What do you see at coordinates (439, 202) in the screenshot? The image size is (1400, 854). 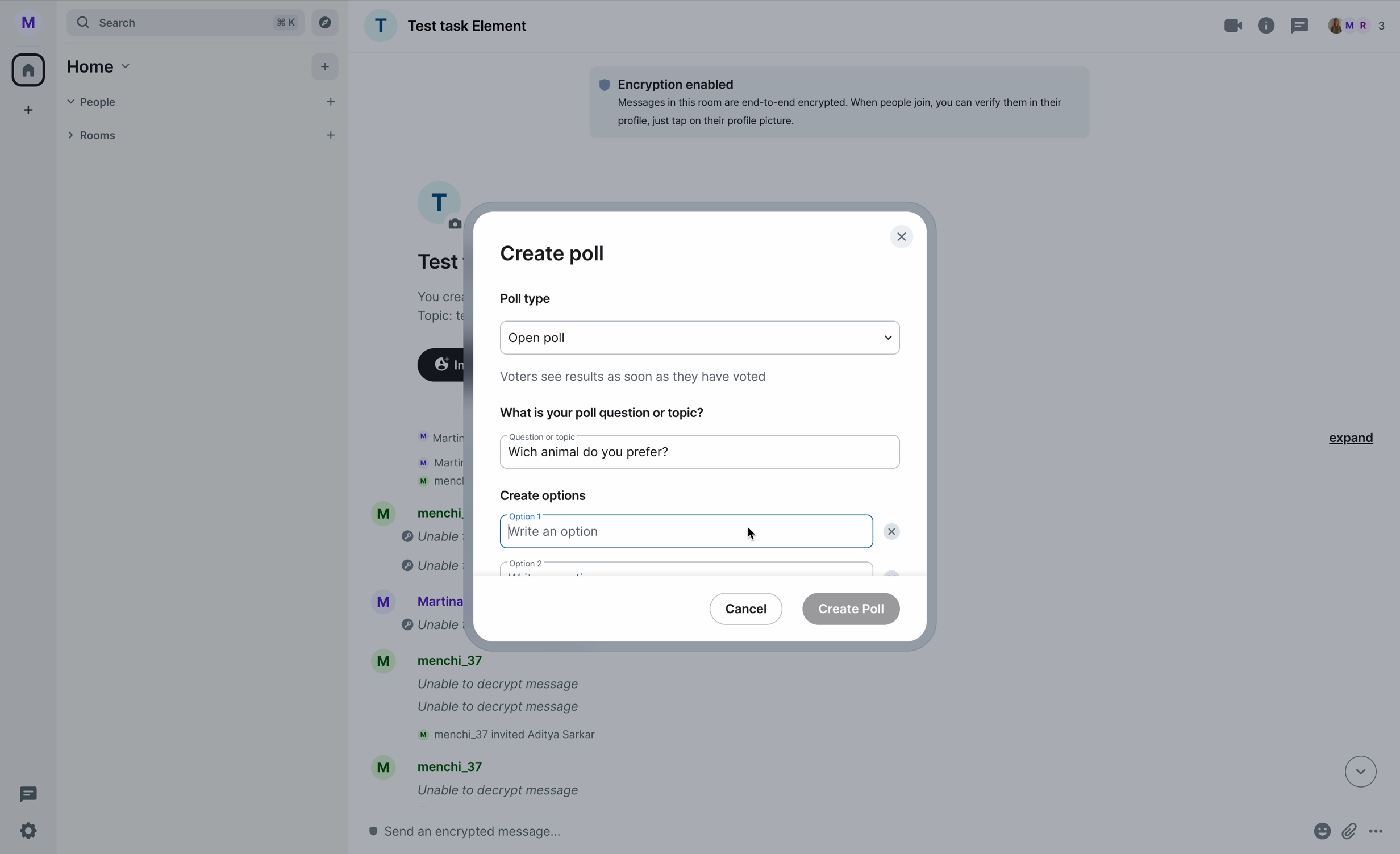 I see `profile picture` at bounding box center [439, 202].